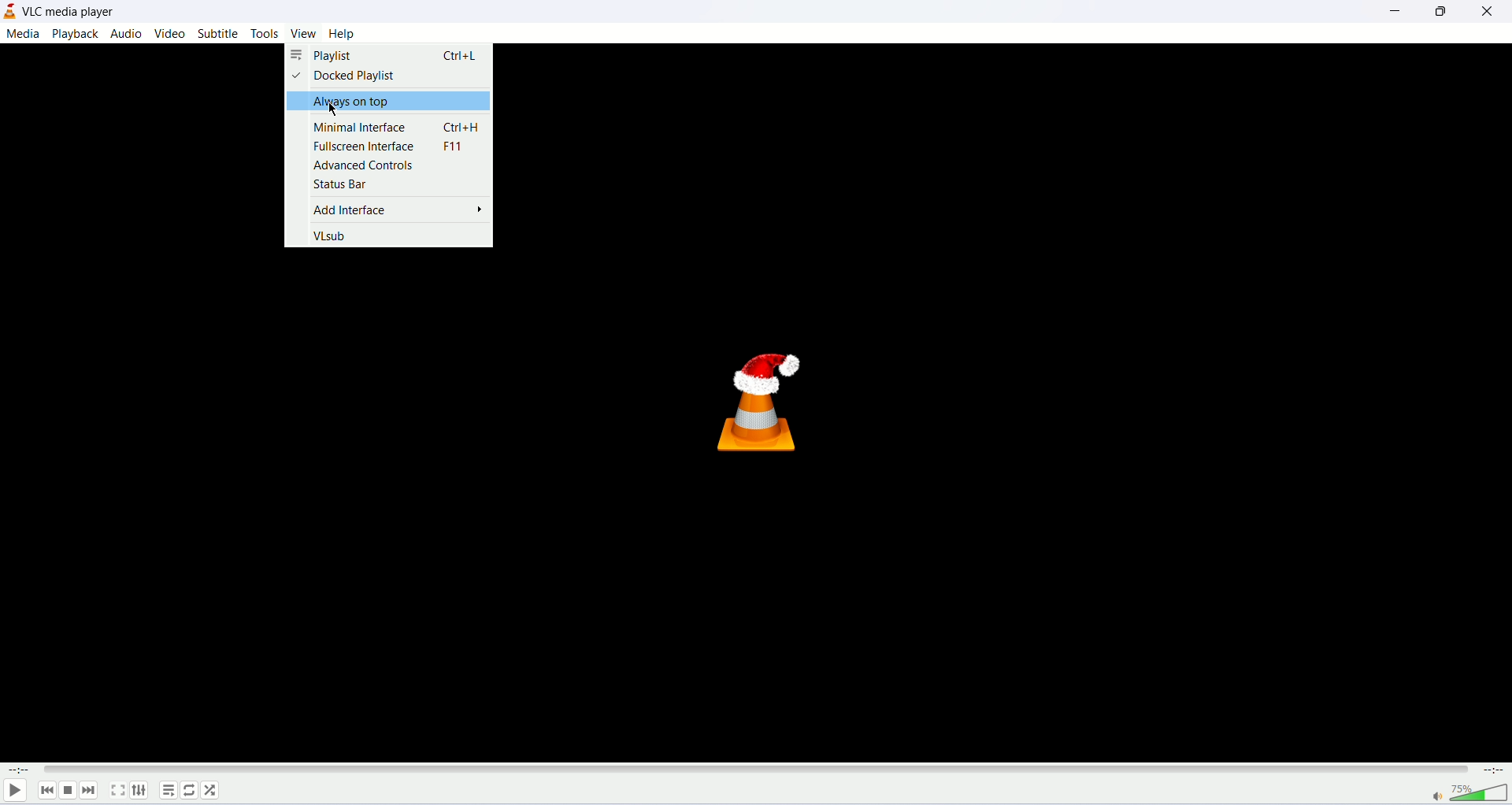 The image size is (1512, 805). What do you see at coordinates (401, 209) in the screenshot?
I see `add interface` at bounding box center [401, 209].